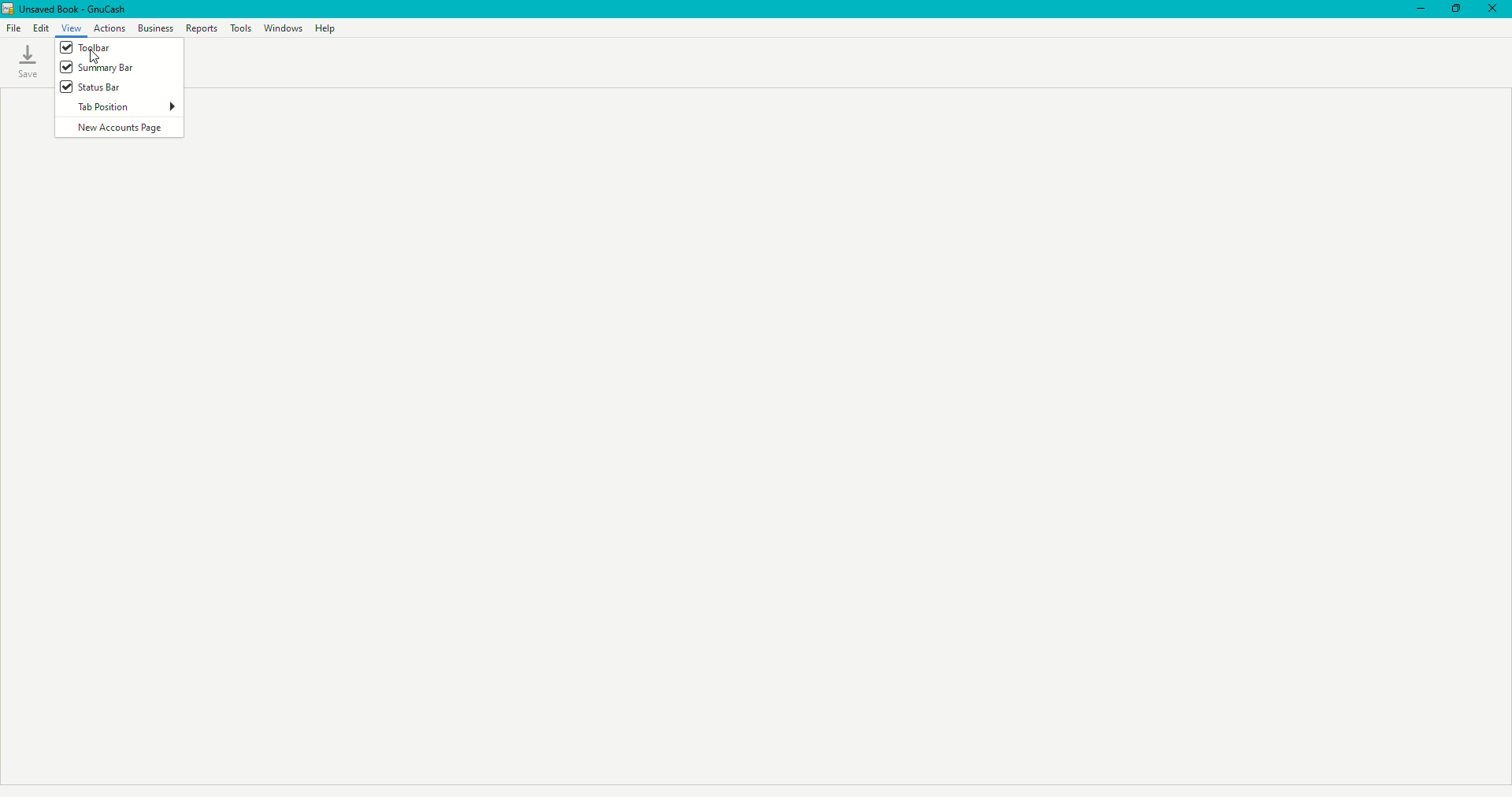 The height and width of the screenshot is (797, 1512). I want to click on New Accounts Page, so click(120, 128).